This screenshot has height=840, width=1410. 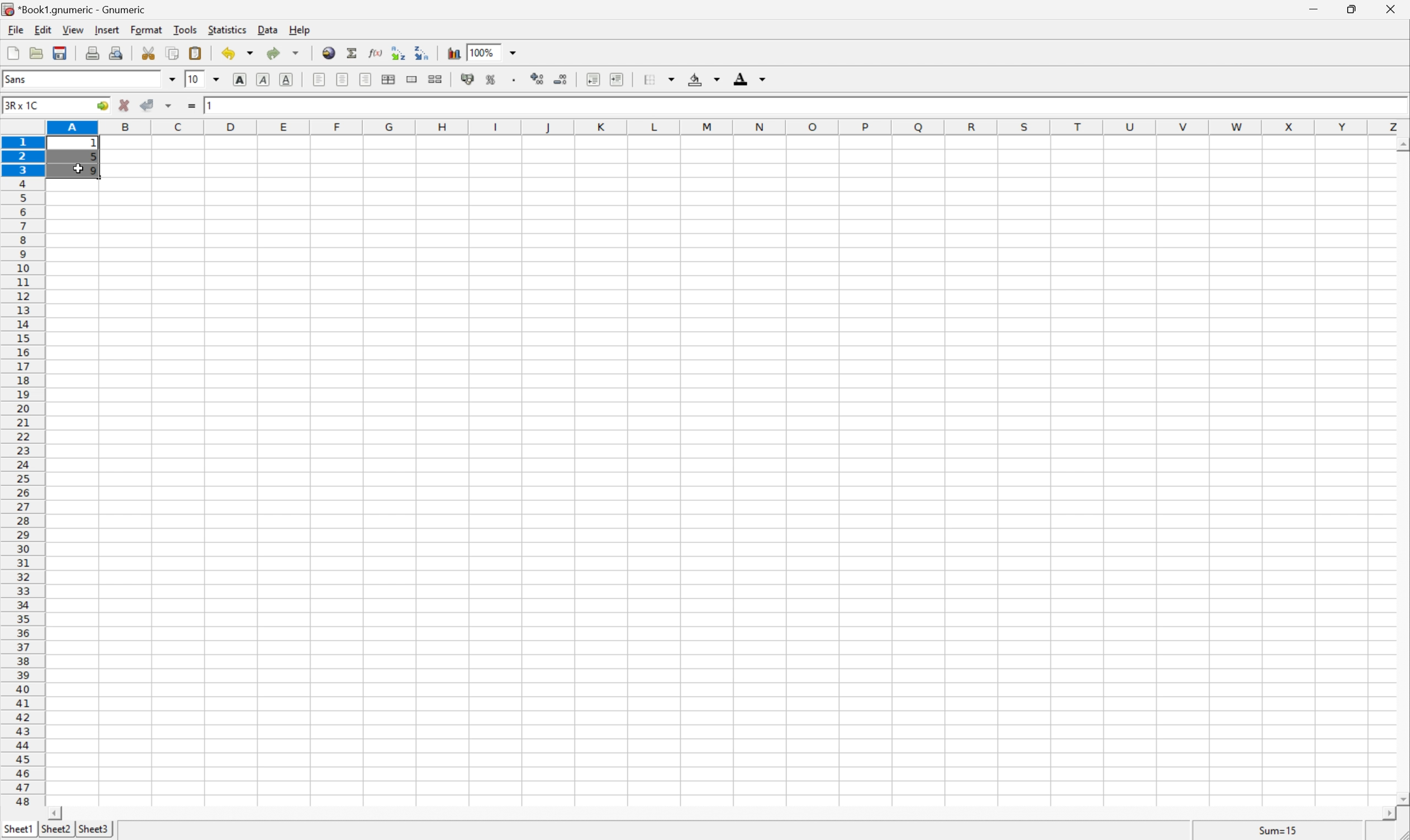 I want to click on save current workbook, so click(x=60, y=53).